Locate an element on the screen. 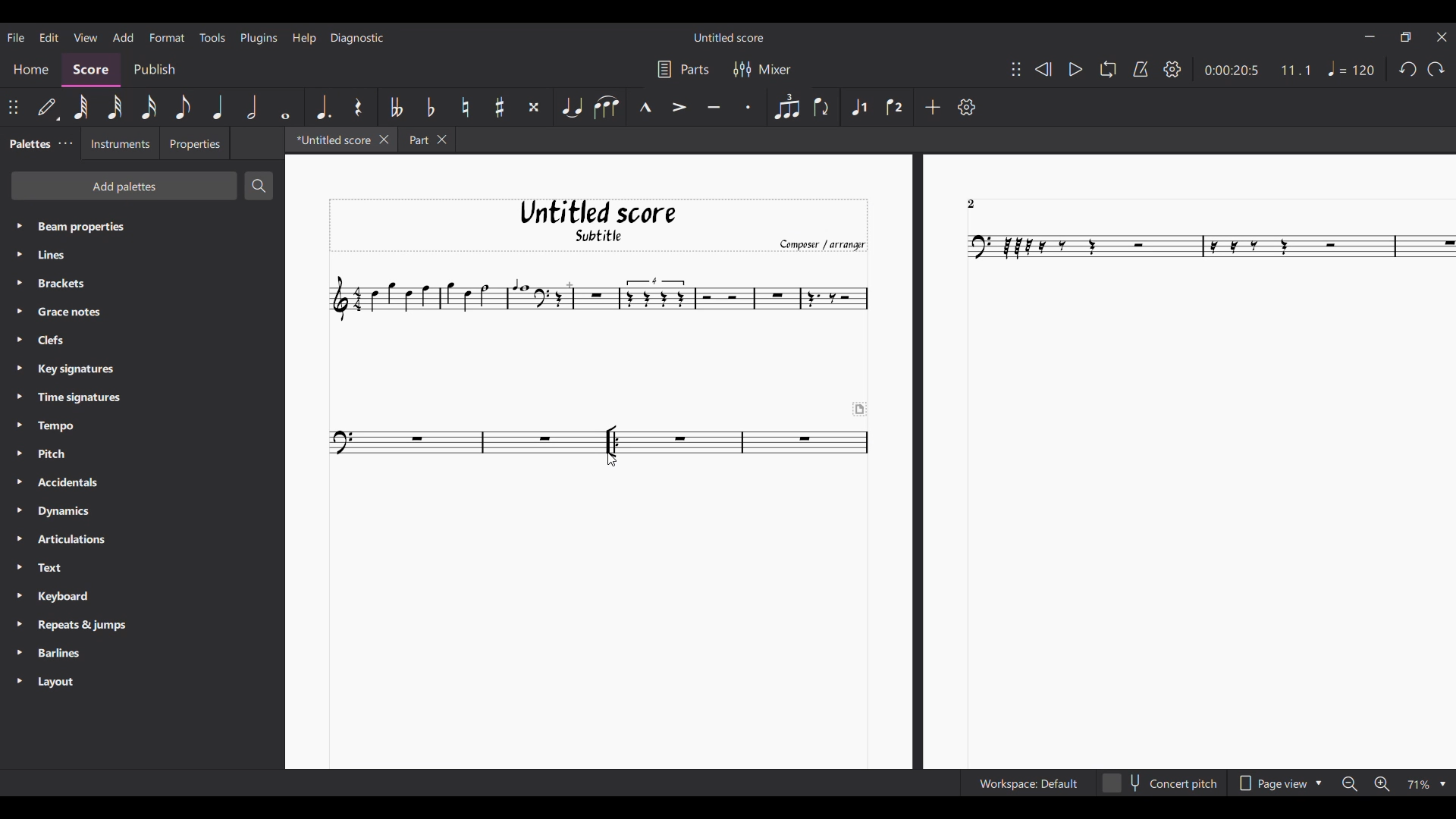 The image size is (1456, 819). Tie is located at coordinates (571, 106).